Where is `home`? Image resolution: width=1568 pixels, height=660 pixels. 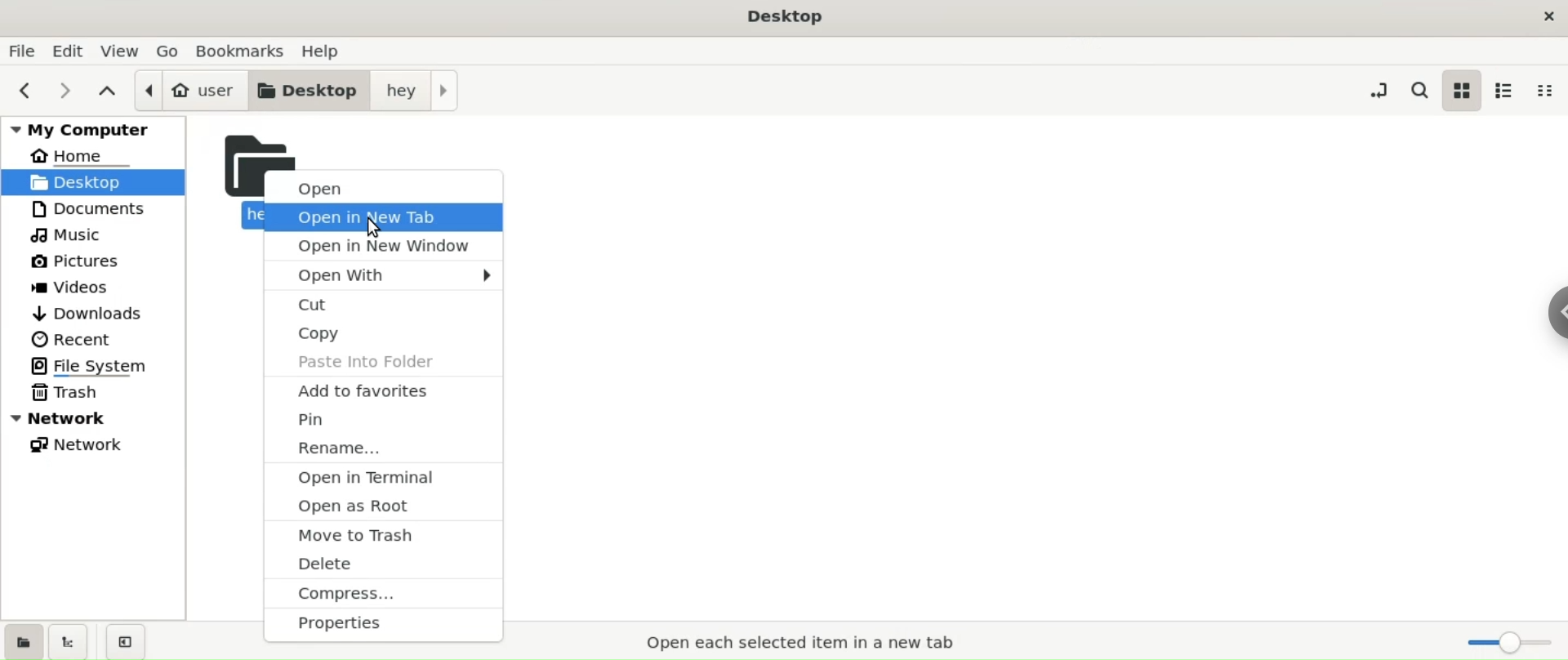
home is located at coordinates (93, 156).